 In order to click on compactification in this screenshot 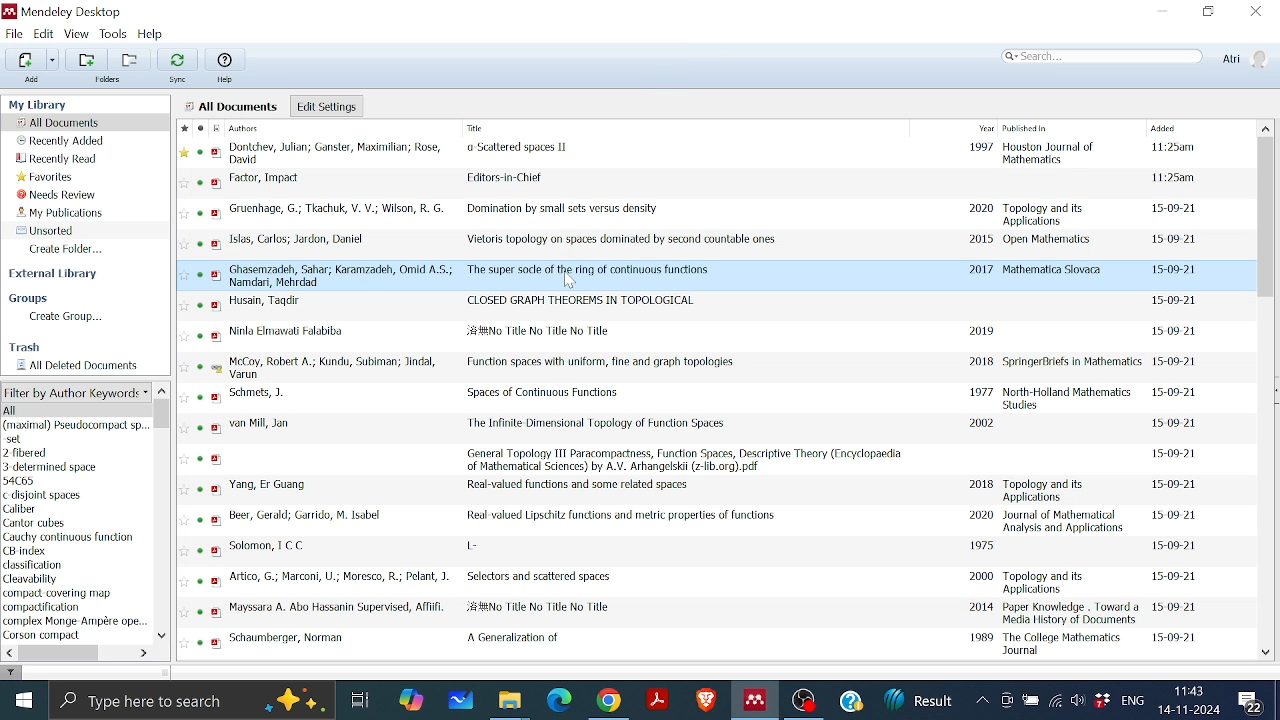, I will do `click(58, 608)`.